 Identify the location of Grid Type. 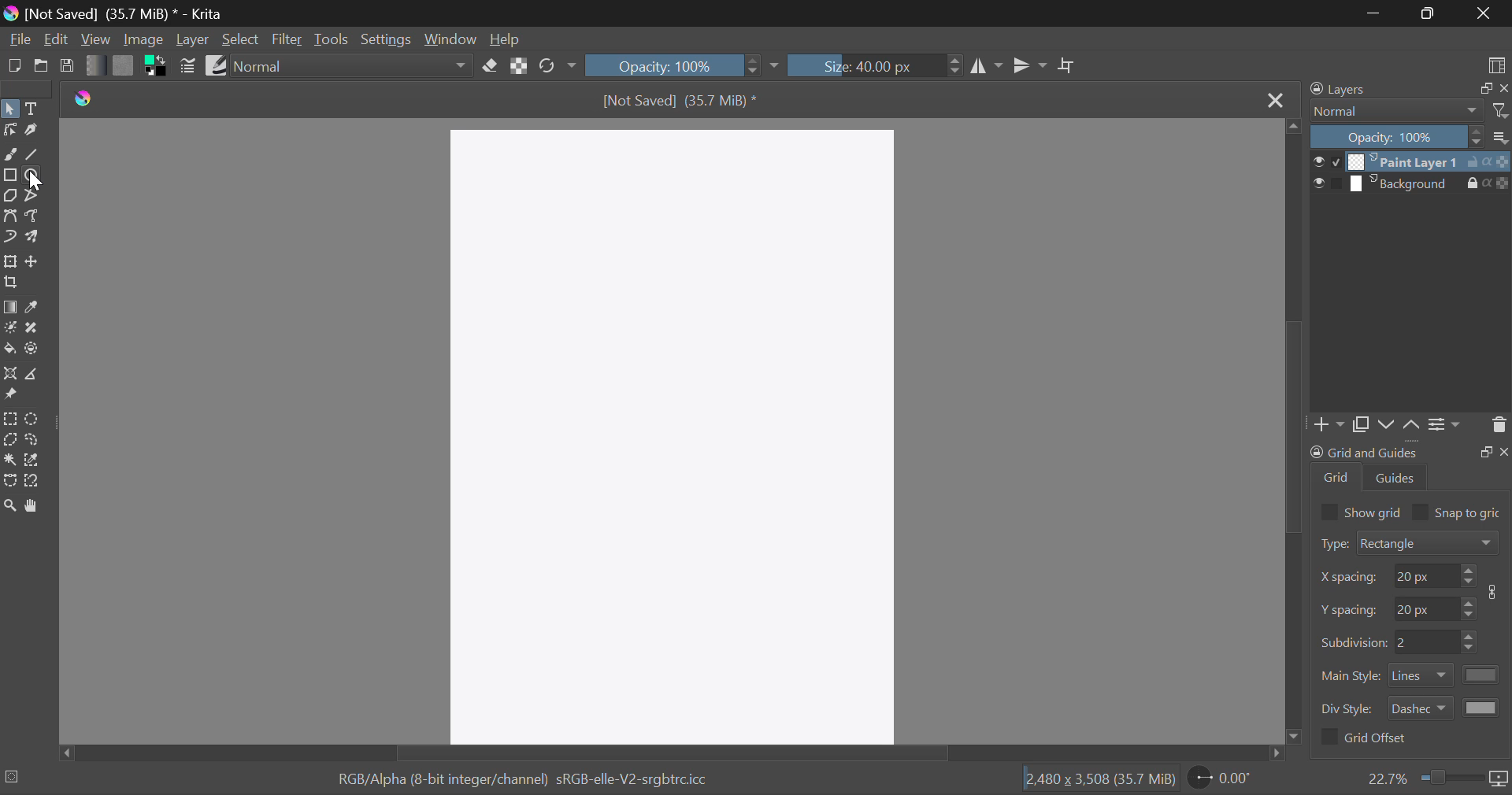
(1411, 545).